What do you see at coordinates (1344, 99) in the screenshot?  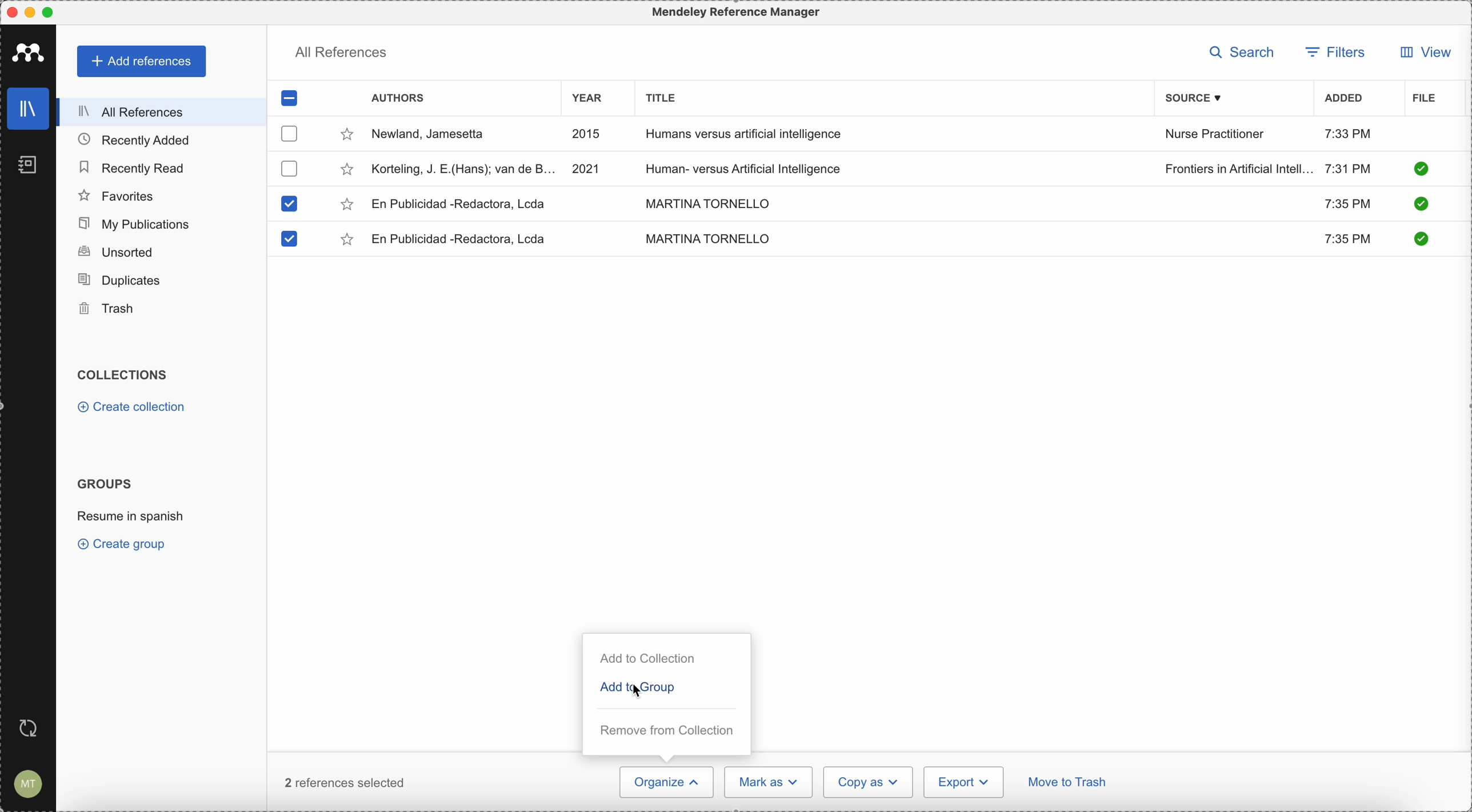 I see `added` at bounding box center [1344, 99].